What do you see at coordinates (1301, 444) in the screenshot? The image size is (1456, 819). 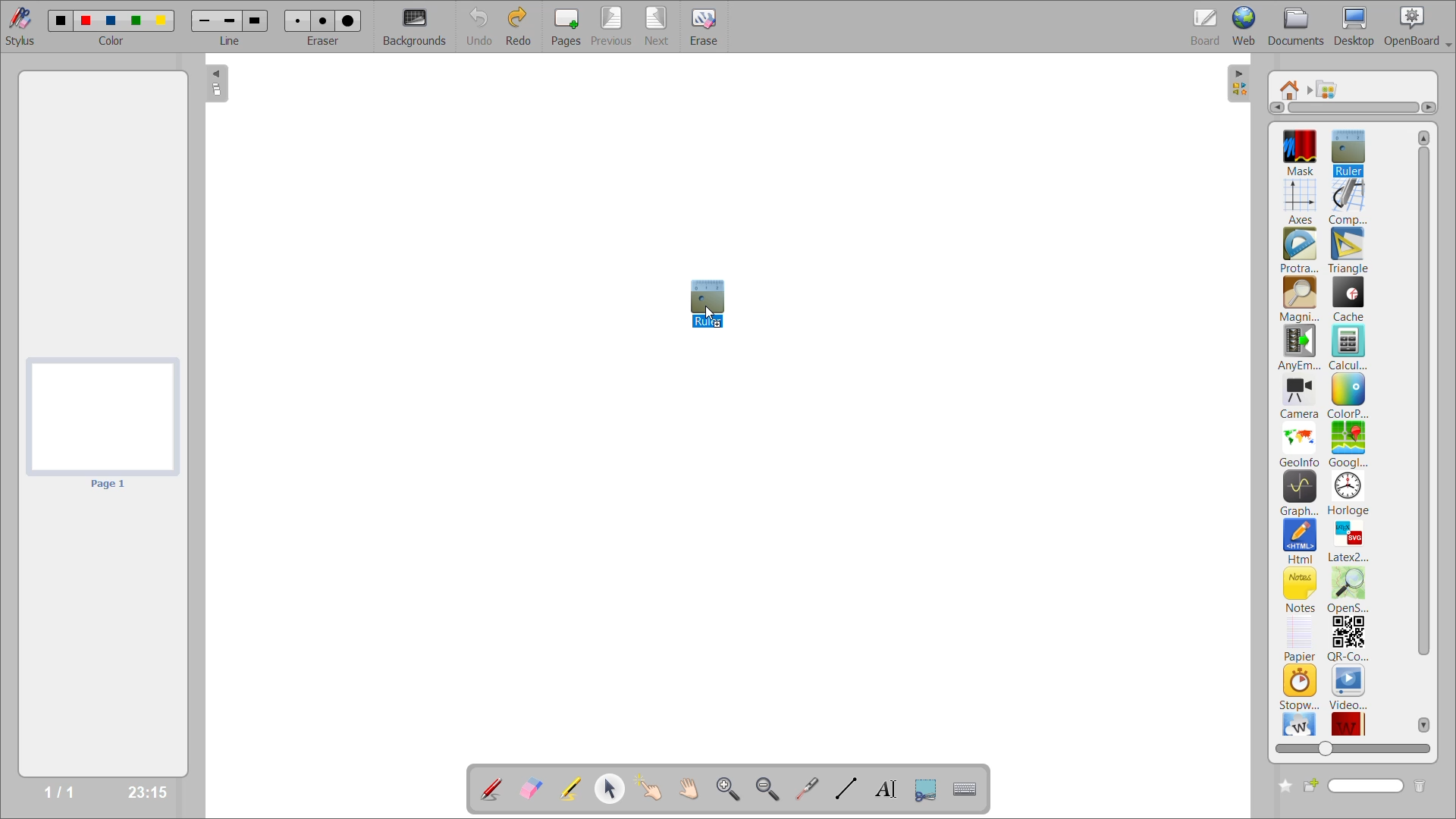 I see `geoinfo` at bounding box center [1301, 444].